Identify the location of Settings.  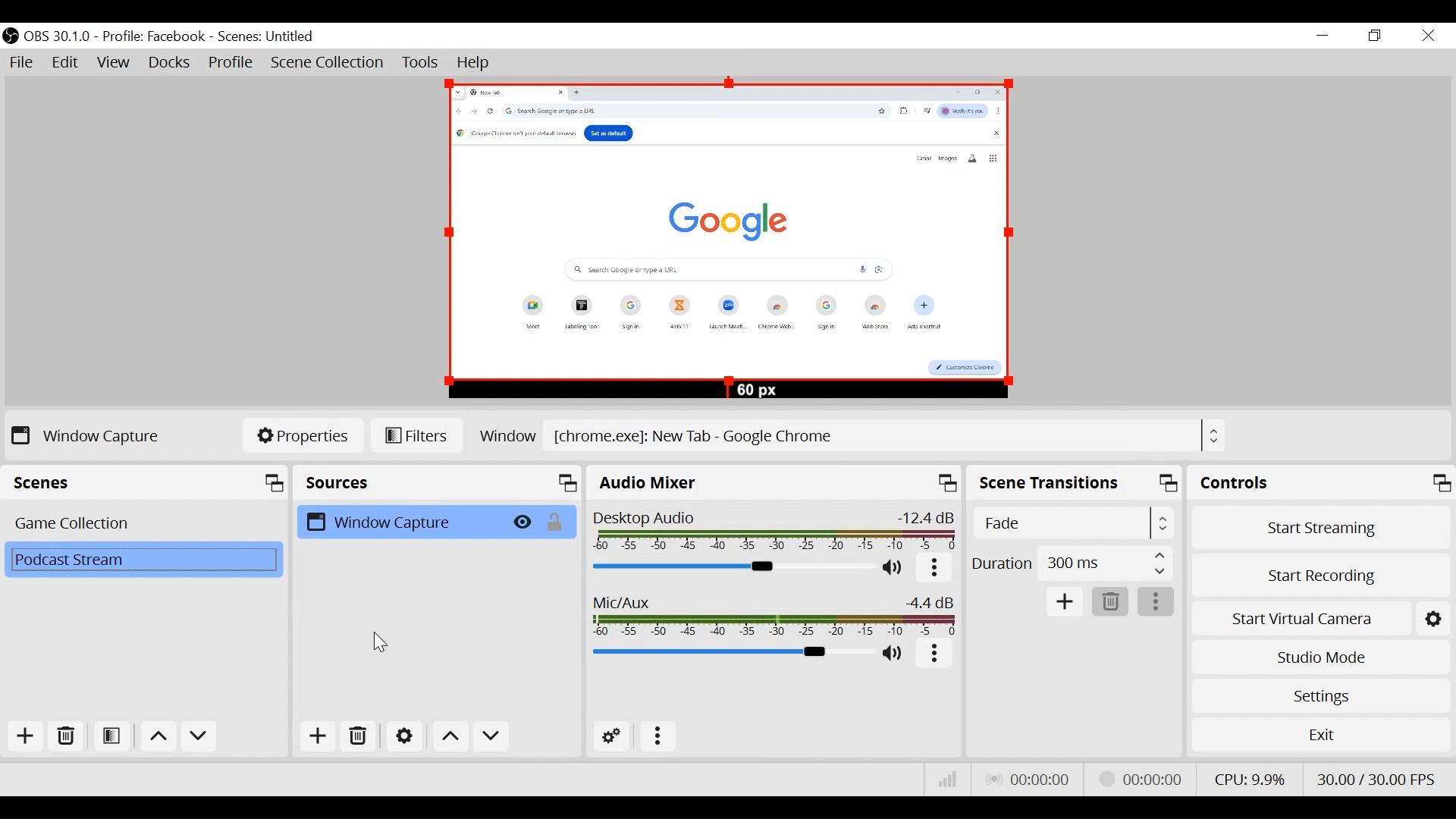
(403, 738).